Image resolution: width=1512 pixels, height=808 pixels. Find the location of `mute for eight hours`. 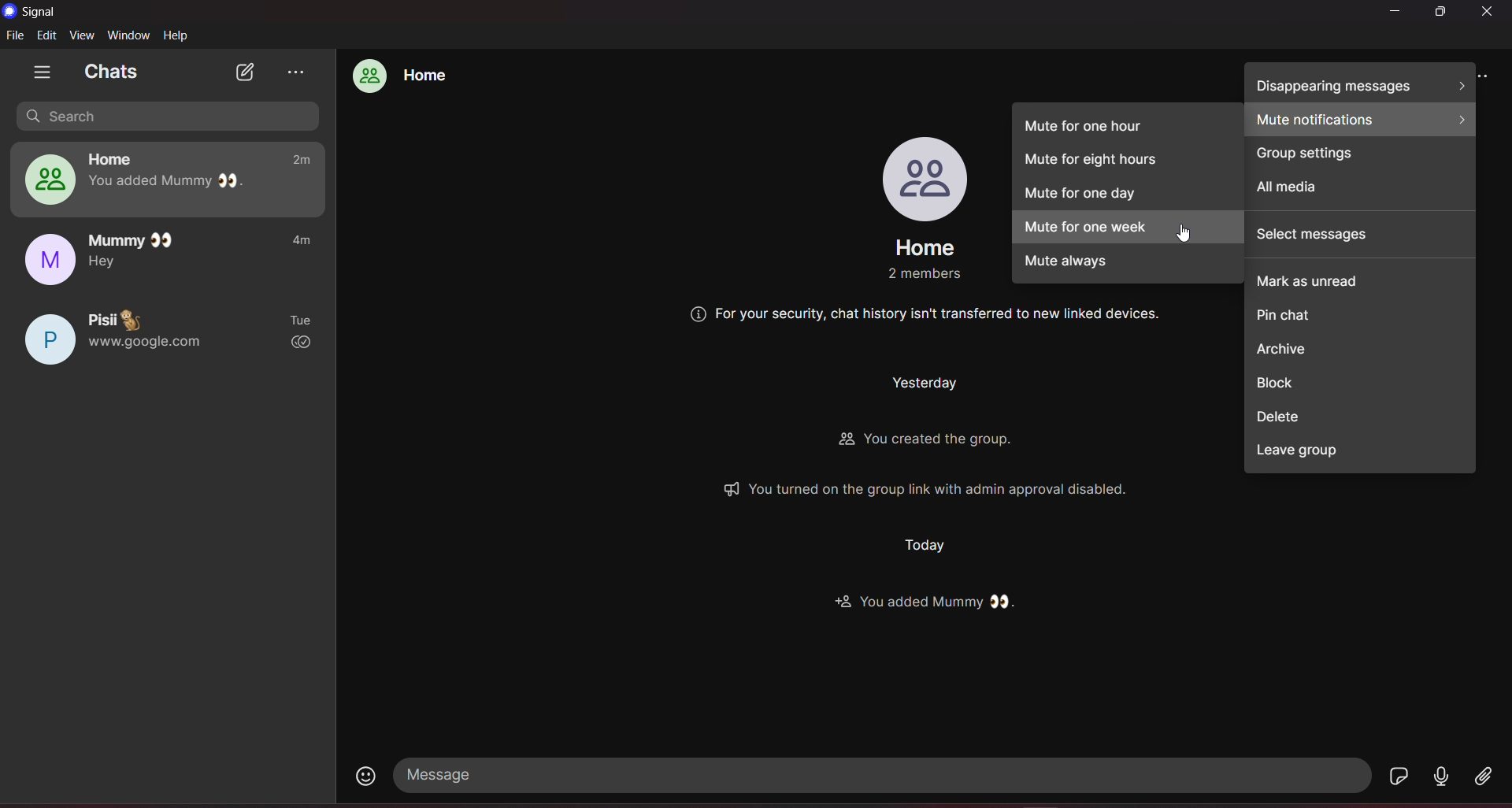

mute for eight hours is located at coordinates (1125, 162).